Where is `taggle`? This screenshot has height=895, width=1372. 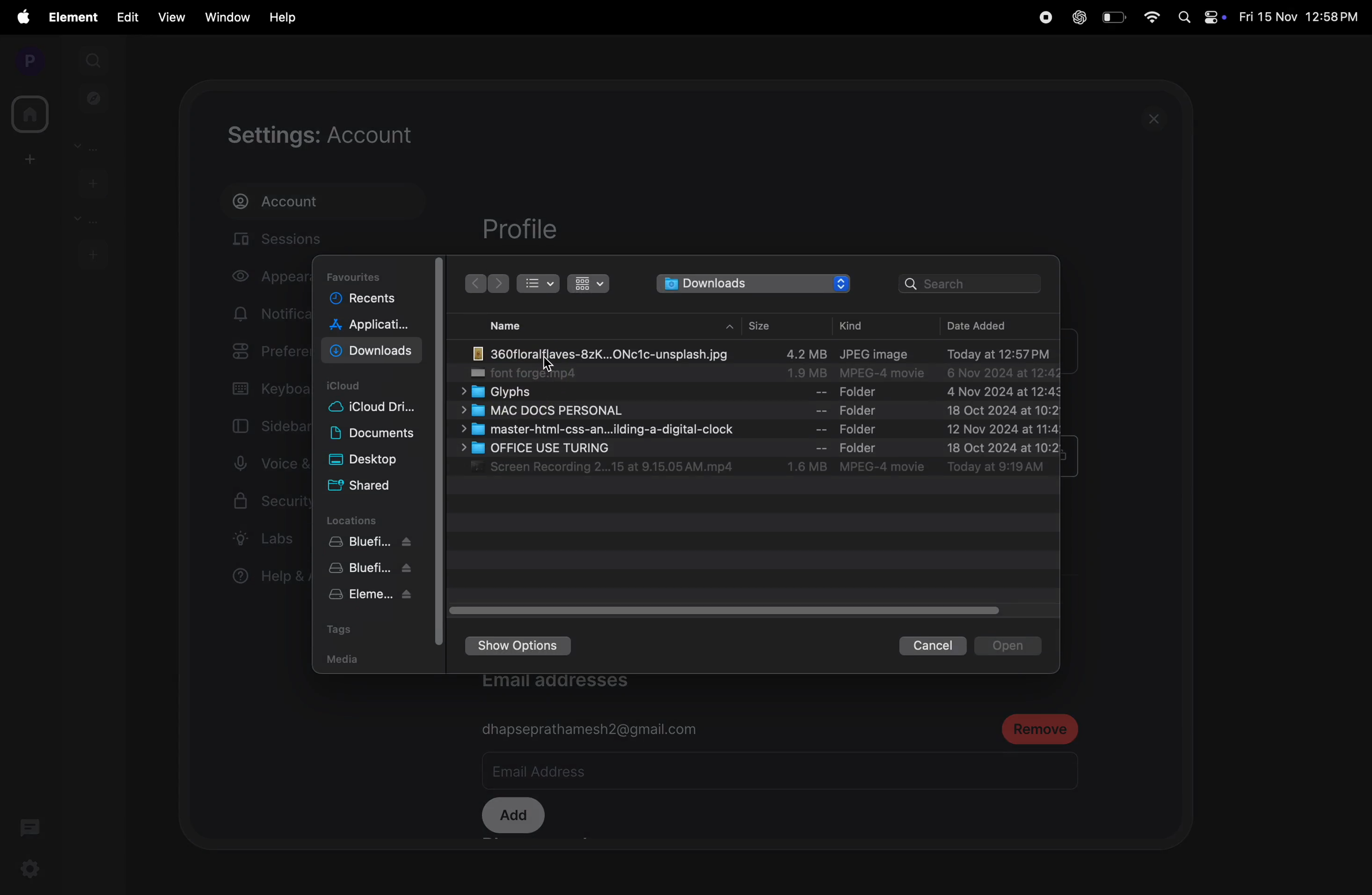
taggle is located at coordinates (730, 610).